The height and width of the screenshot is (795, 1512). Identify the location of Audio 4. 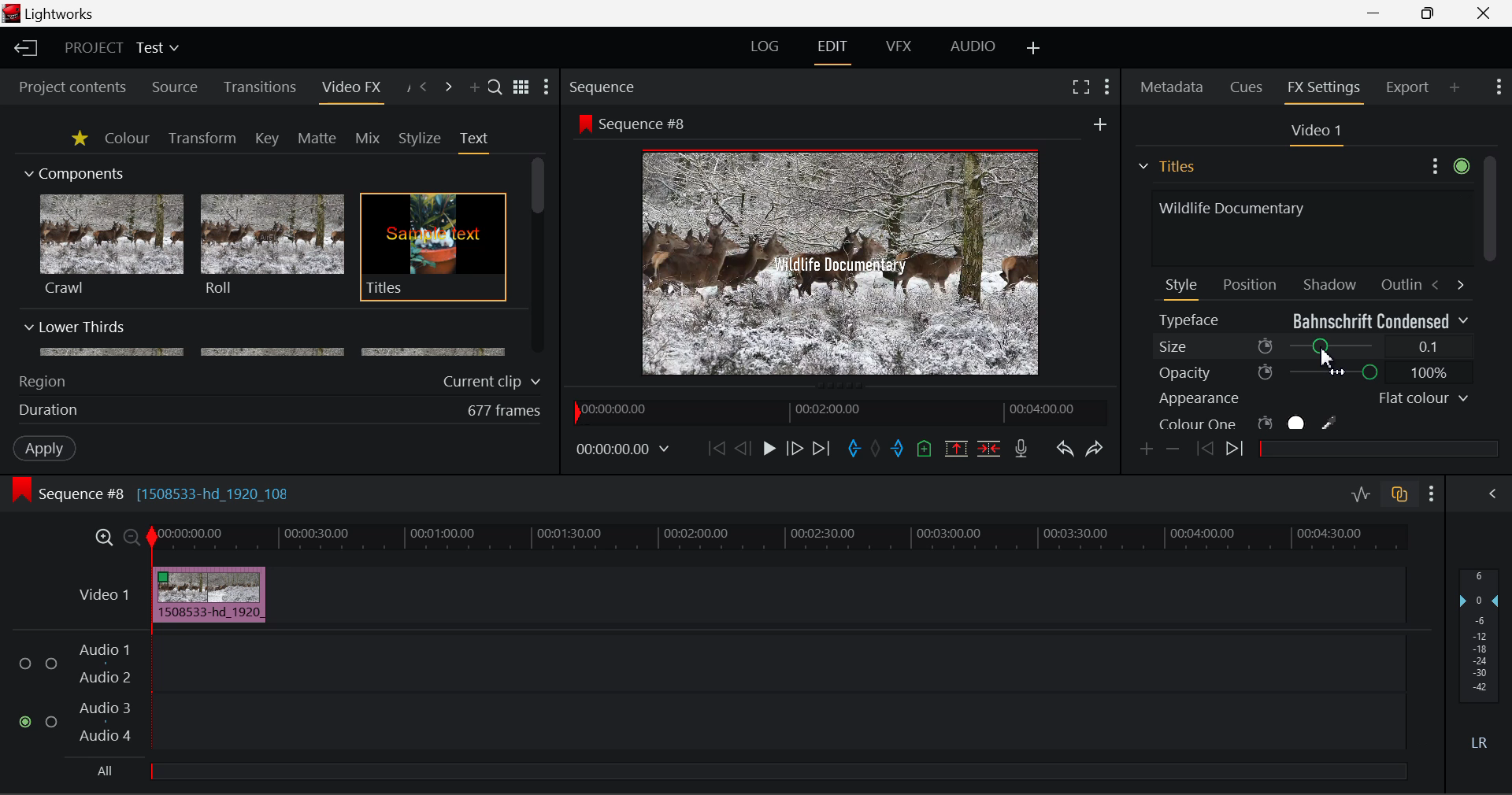
(106, 734).